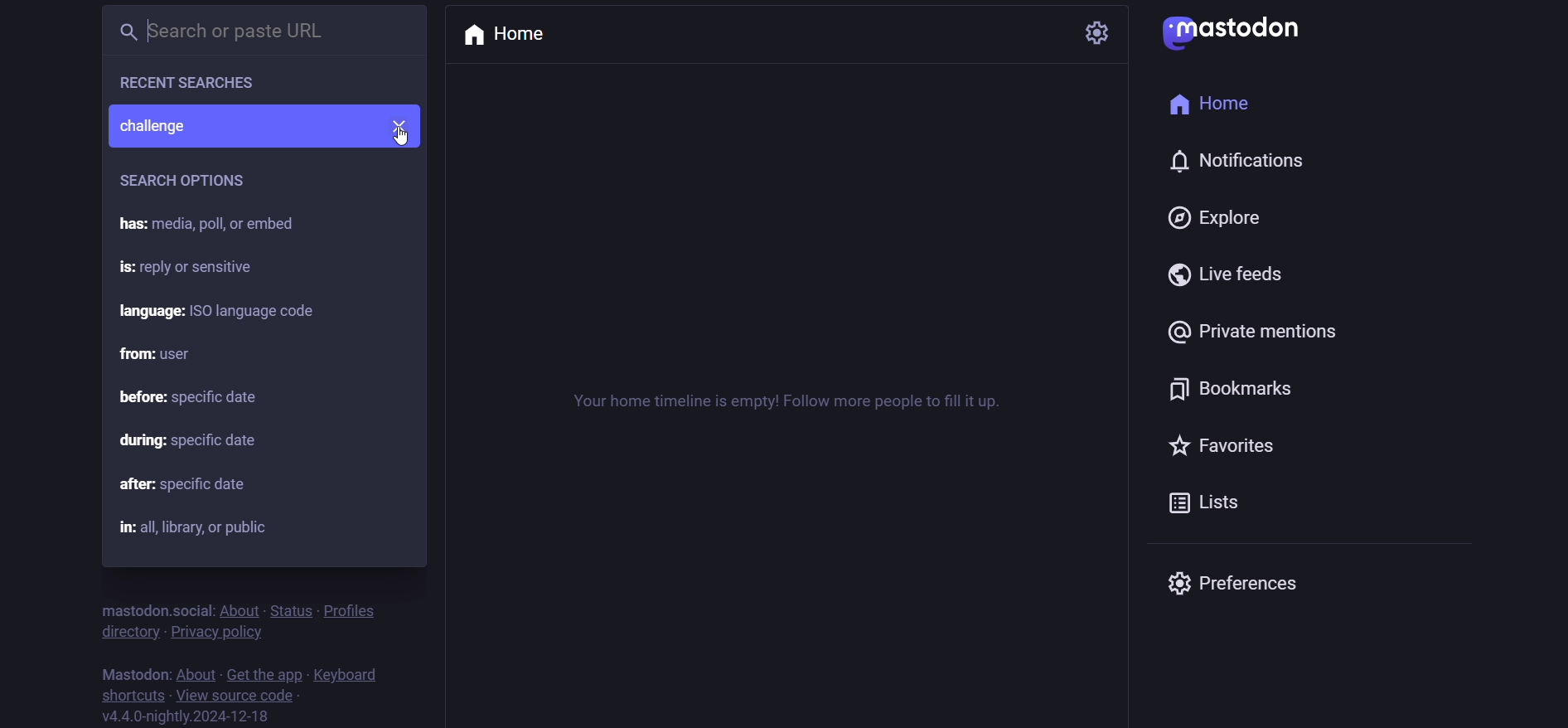 The width and height of the screenshot is (1568, 728). What do you see at coordinates (195, 672) in the screenshot?
I see `about` at bounding box center [195, 672].